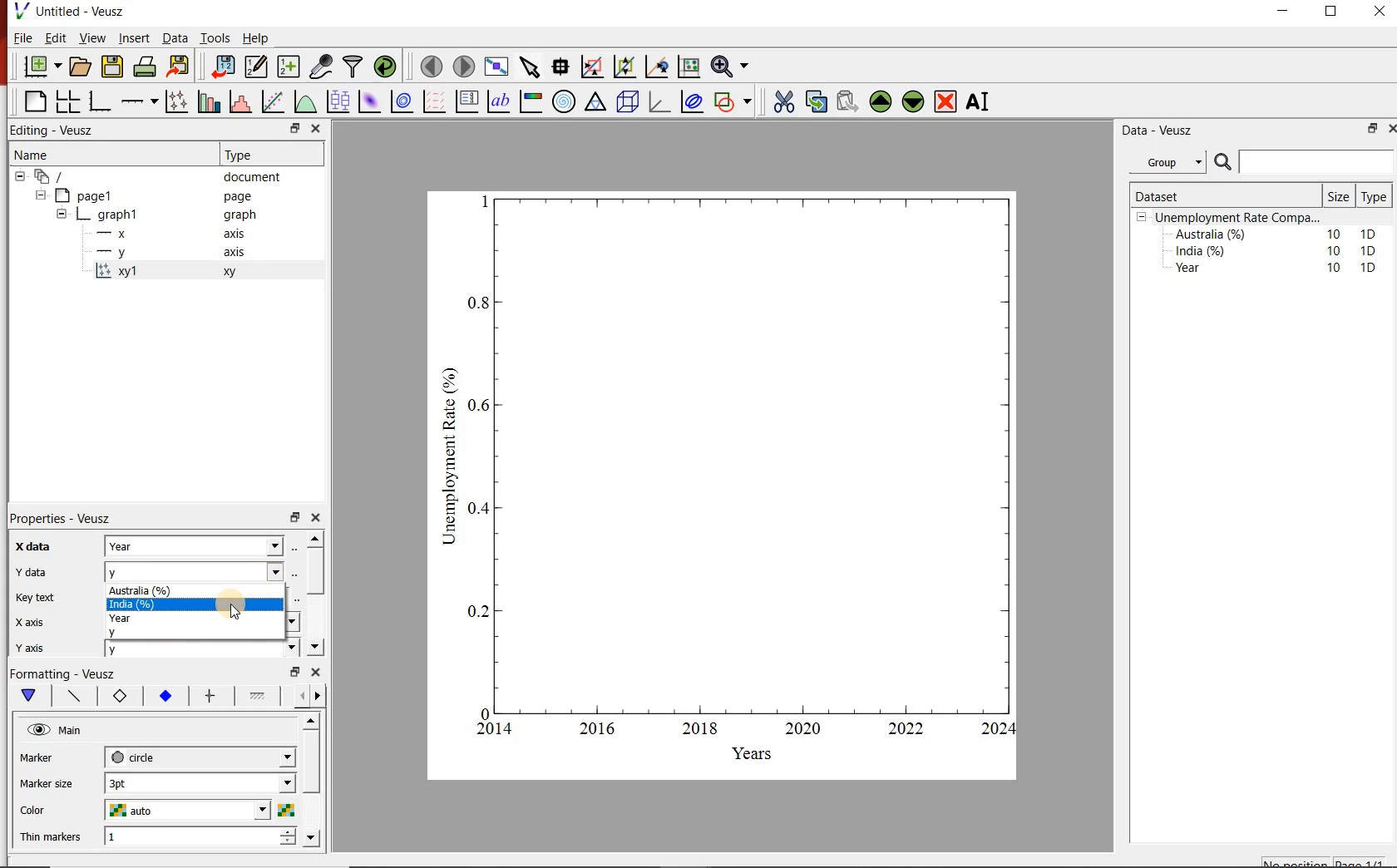 The width and height of the screenshot is (1397, 868). Describe the element at coordinates (31, 622) in the screenshot. I see `x axis` at that location.